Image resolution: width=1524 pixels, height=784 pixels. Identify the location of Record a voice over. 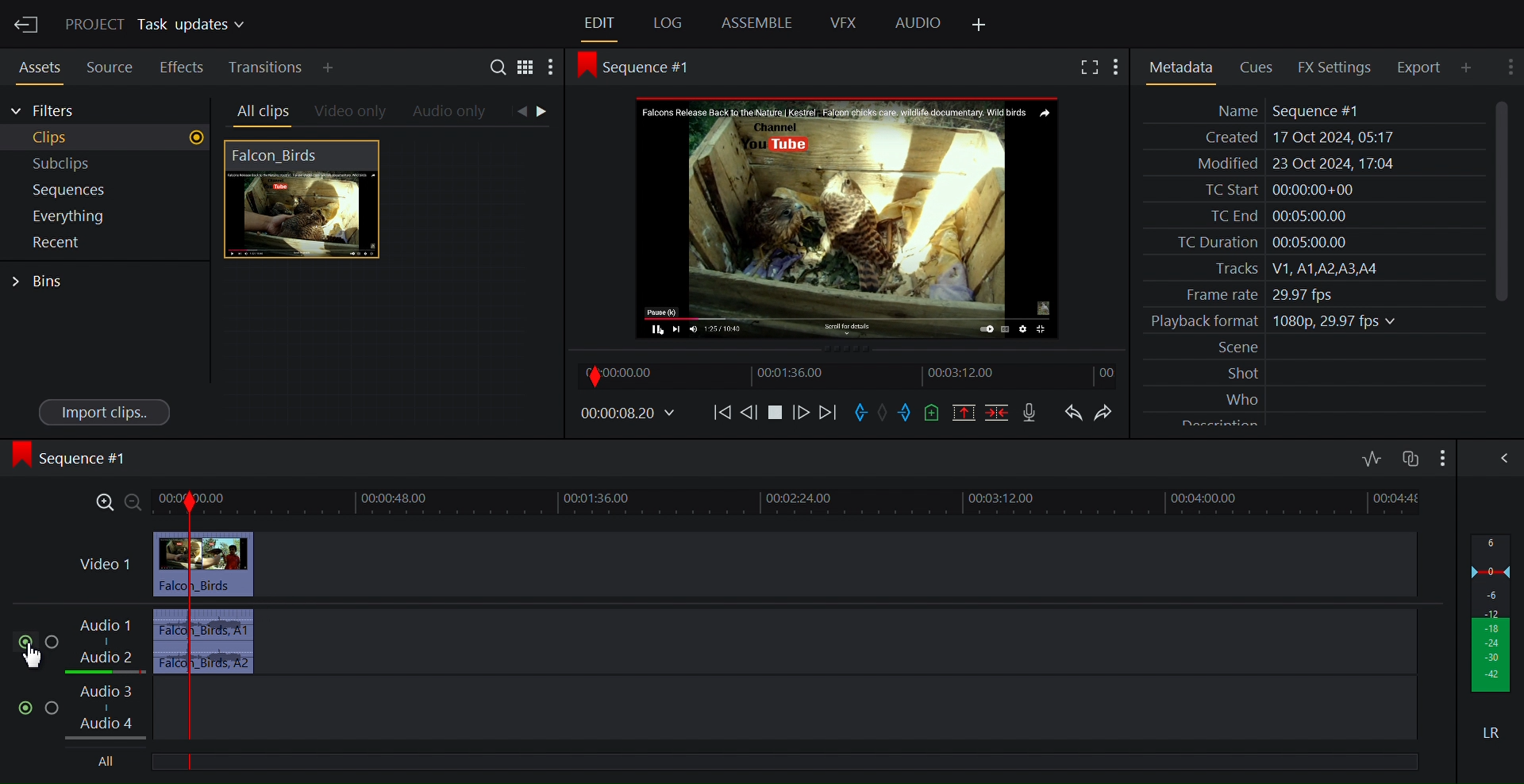
(1034, 414).